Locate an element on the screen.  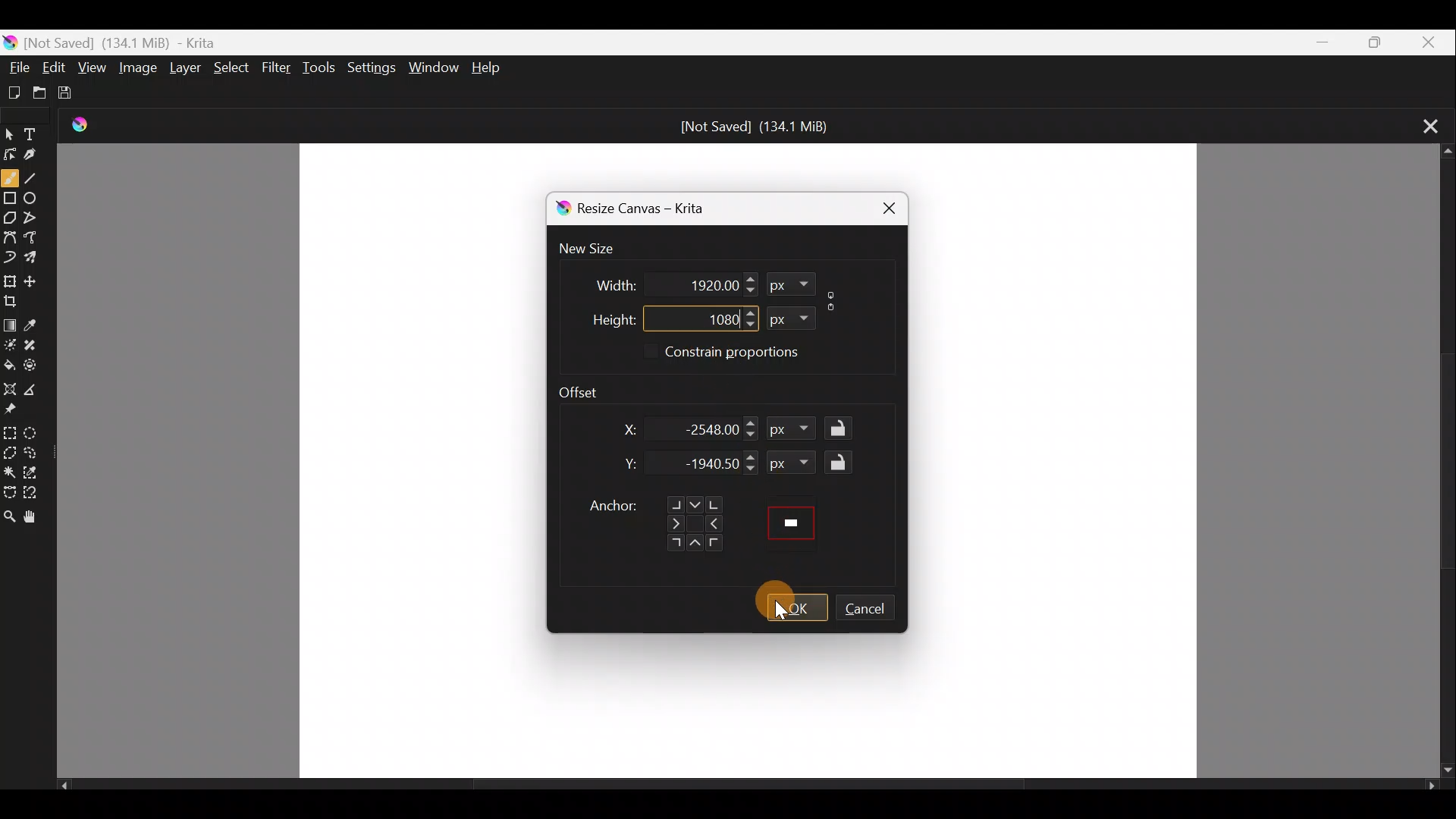
Height is located at coordinates (601, 316).